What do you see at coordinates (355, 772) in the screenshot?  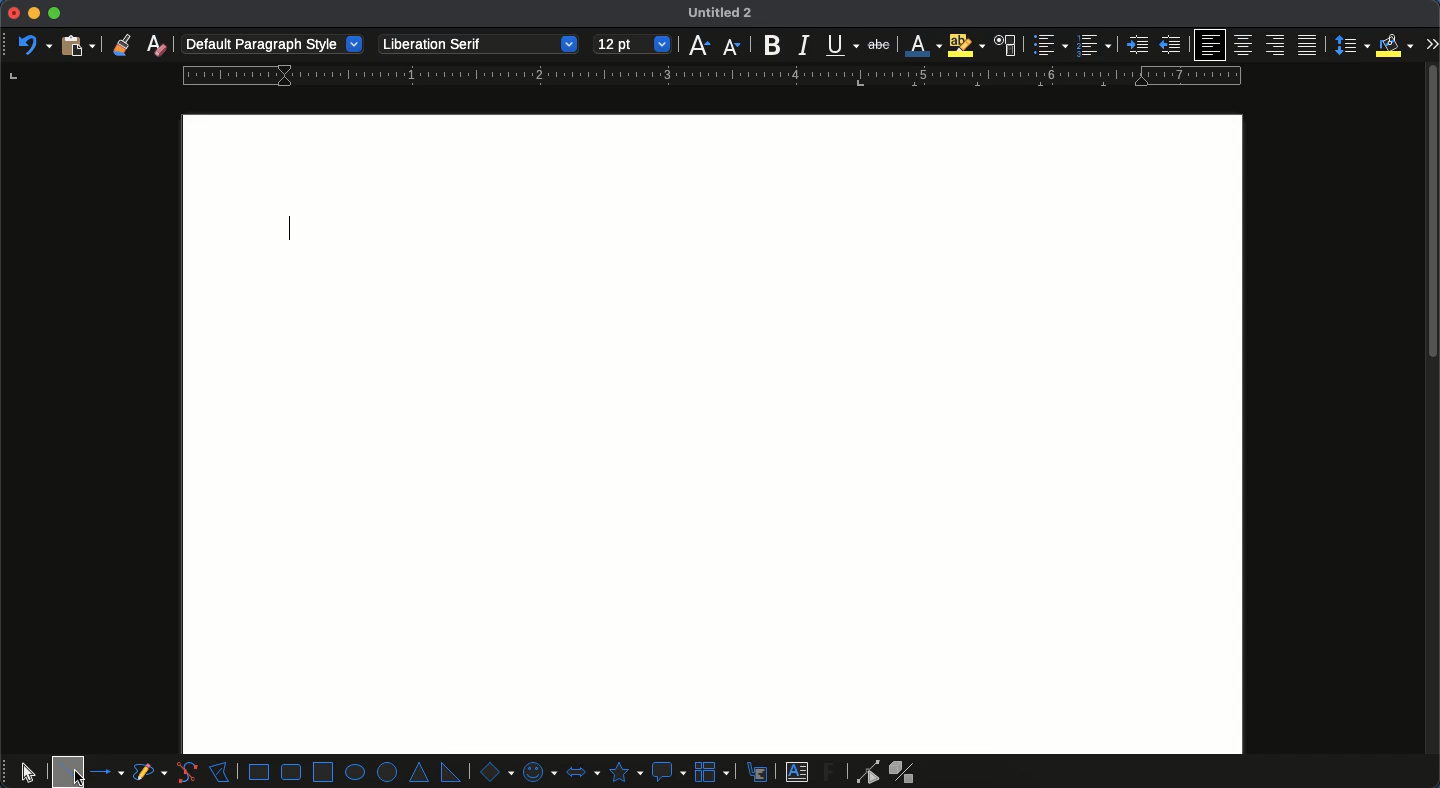 I see `ellipse` at bounding box center [355, 772].